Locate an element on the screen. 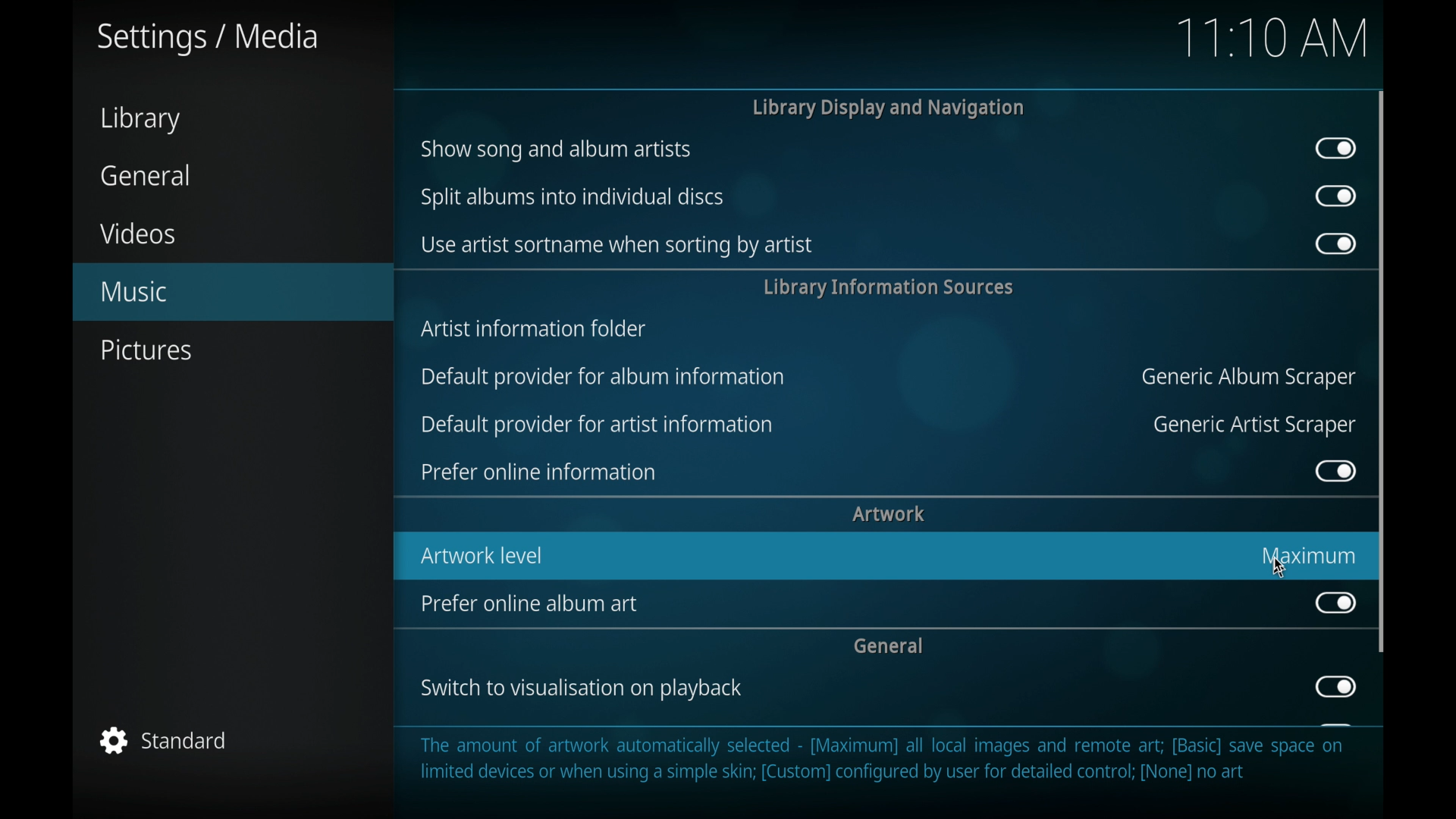  generic album scraper is located at coordinates (1248, 378).